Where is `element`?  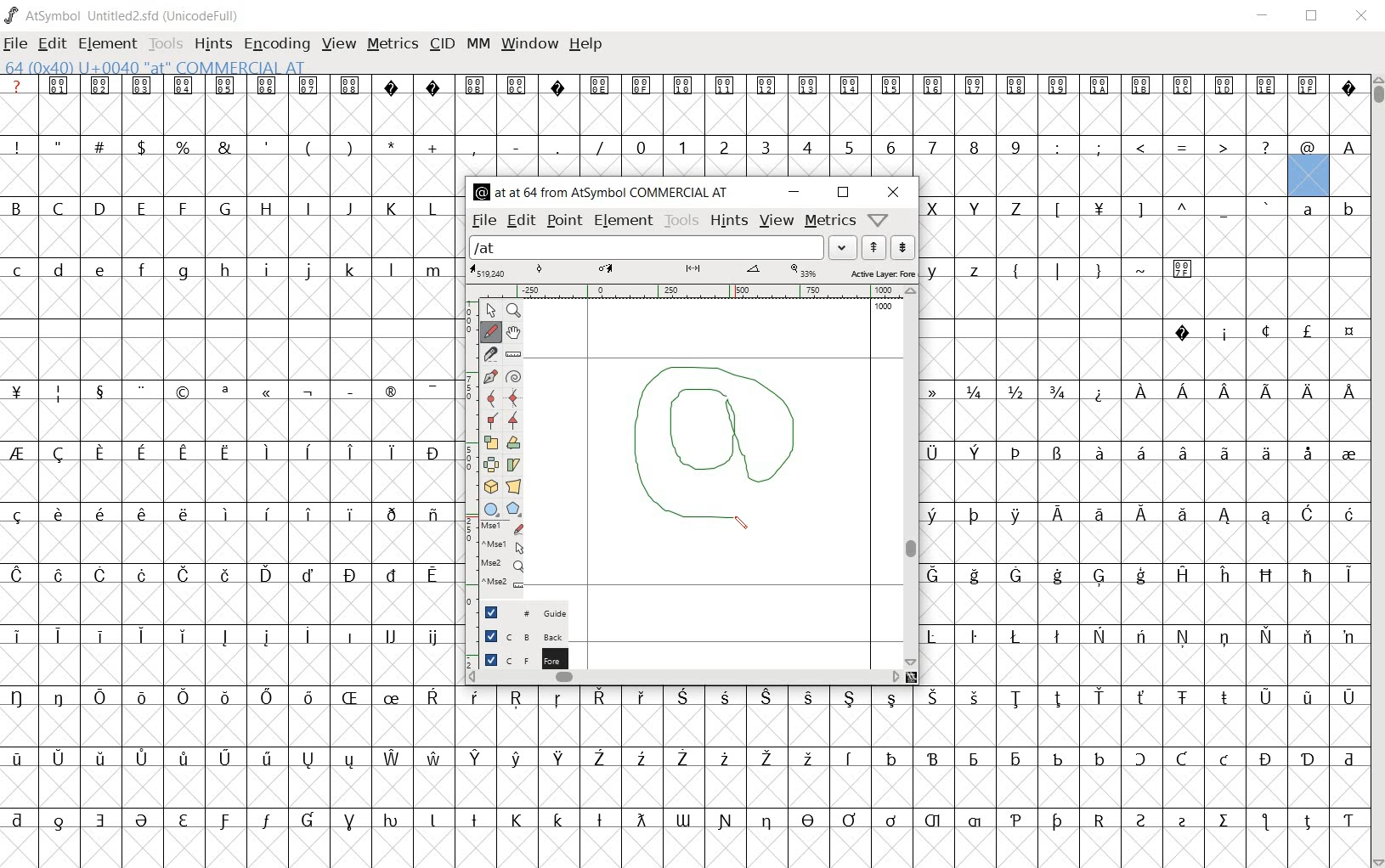 element is located at coordinates (624, 221).